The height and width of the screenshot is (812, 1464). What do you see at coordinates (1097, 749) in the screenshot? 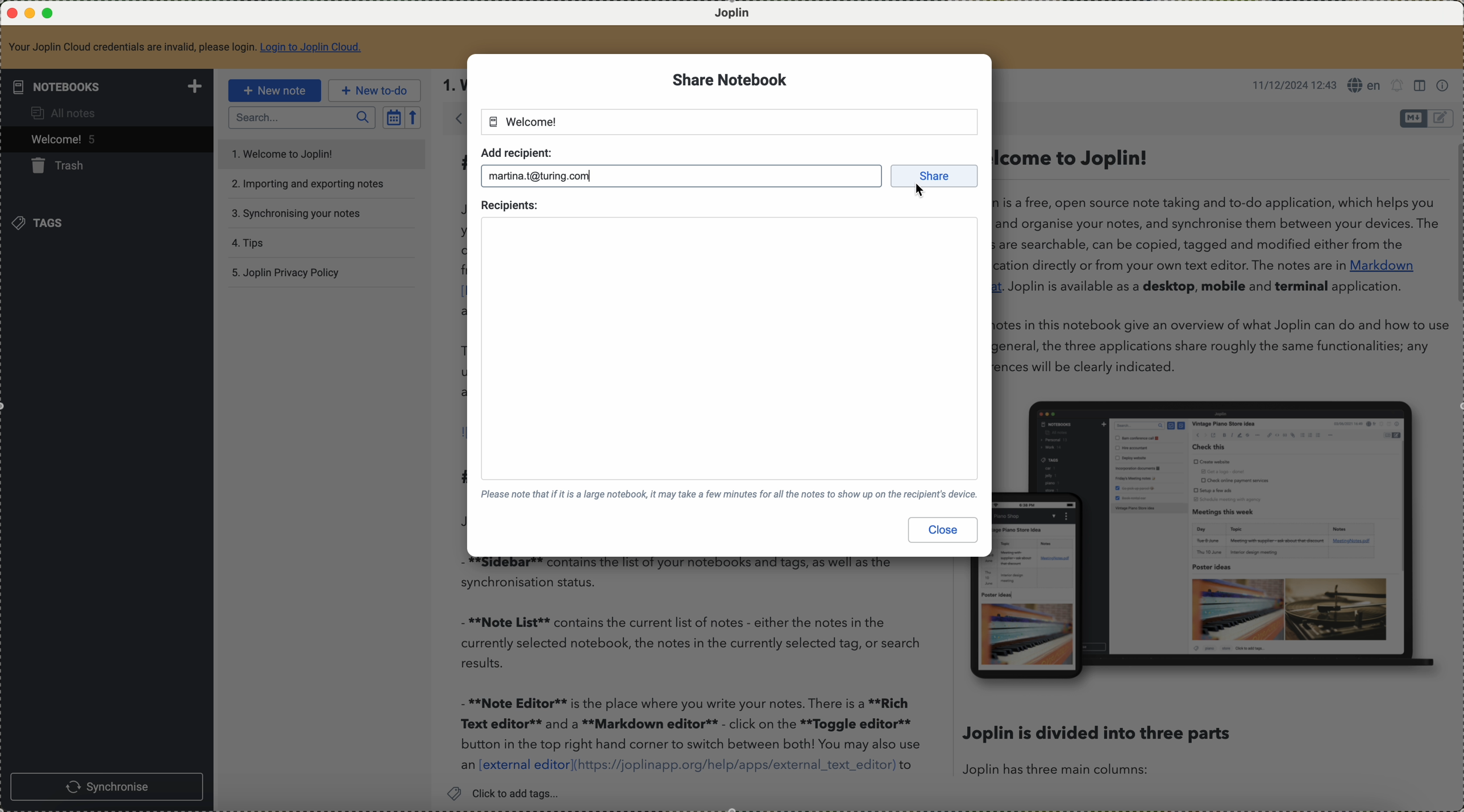
I see `Joplin is divided into three parts Joplin has three main columns:` at bounding box center [1097, 749].